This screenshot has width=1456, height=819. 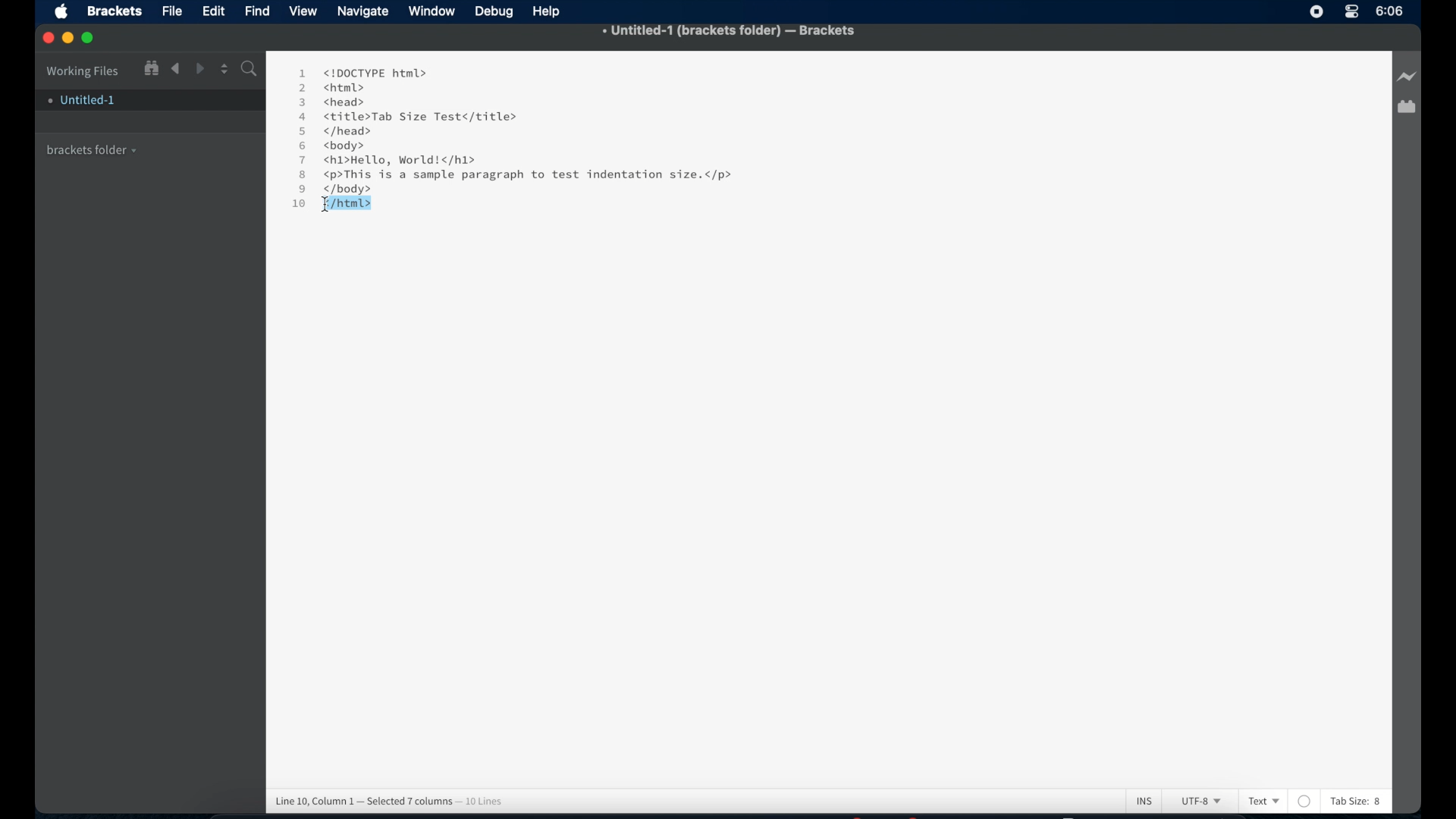 I want to click on Icon, so click(x=65, y=13).